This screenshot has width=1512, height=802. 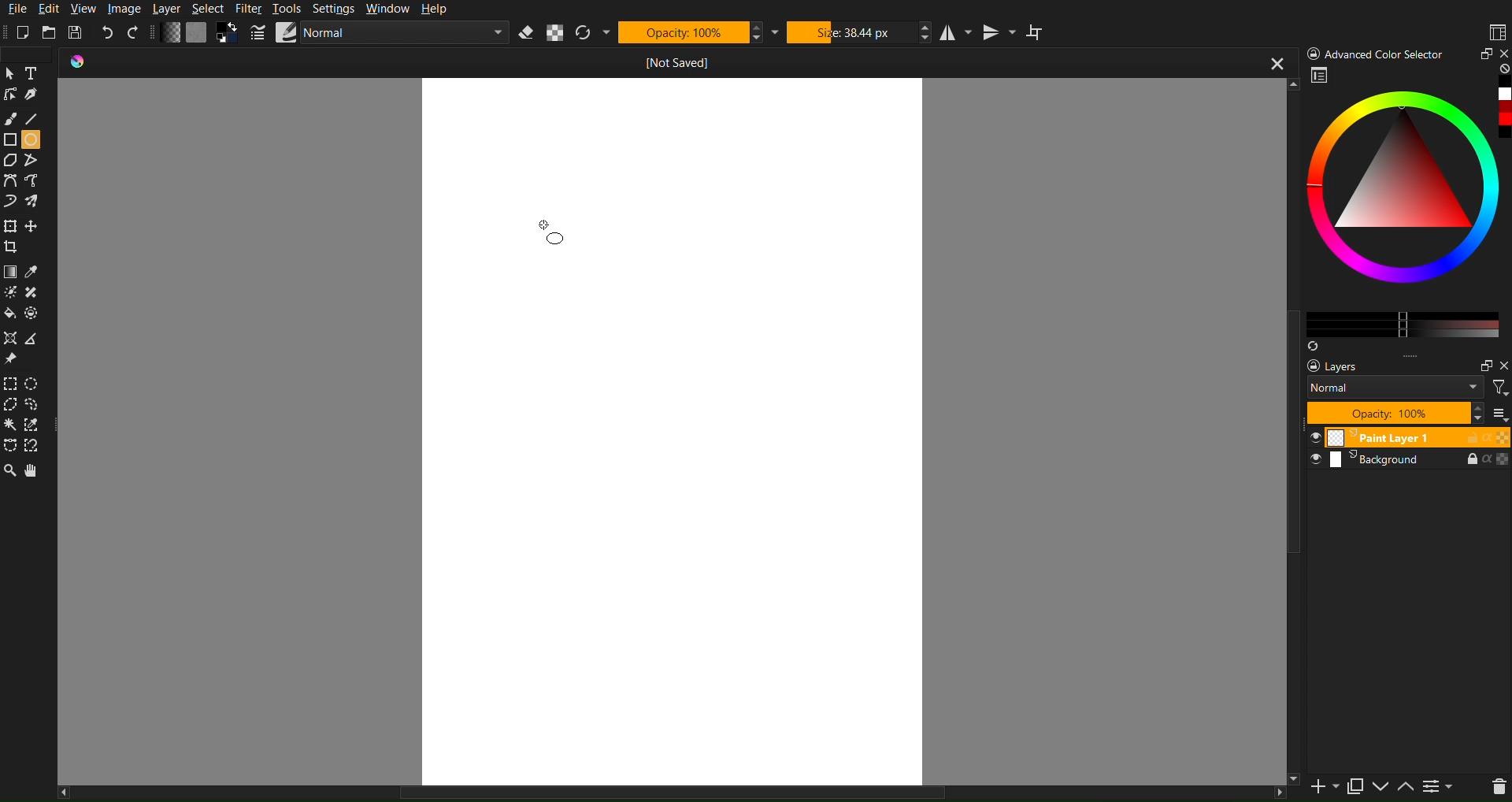 I want to click on , so click(x=1503, y=365).